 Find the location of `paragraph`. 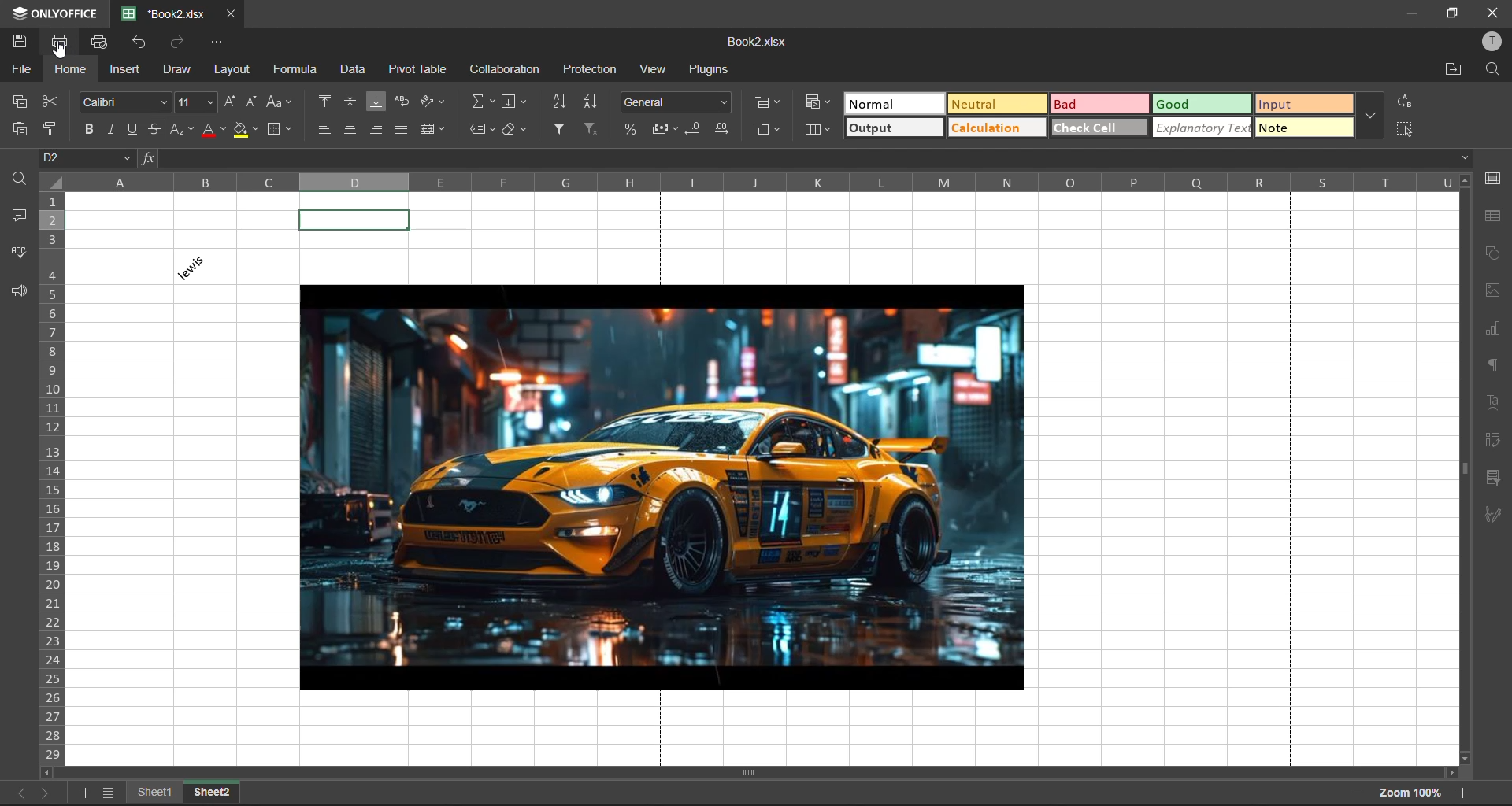

paragraph is located at coordinates (1493, 365).